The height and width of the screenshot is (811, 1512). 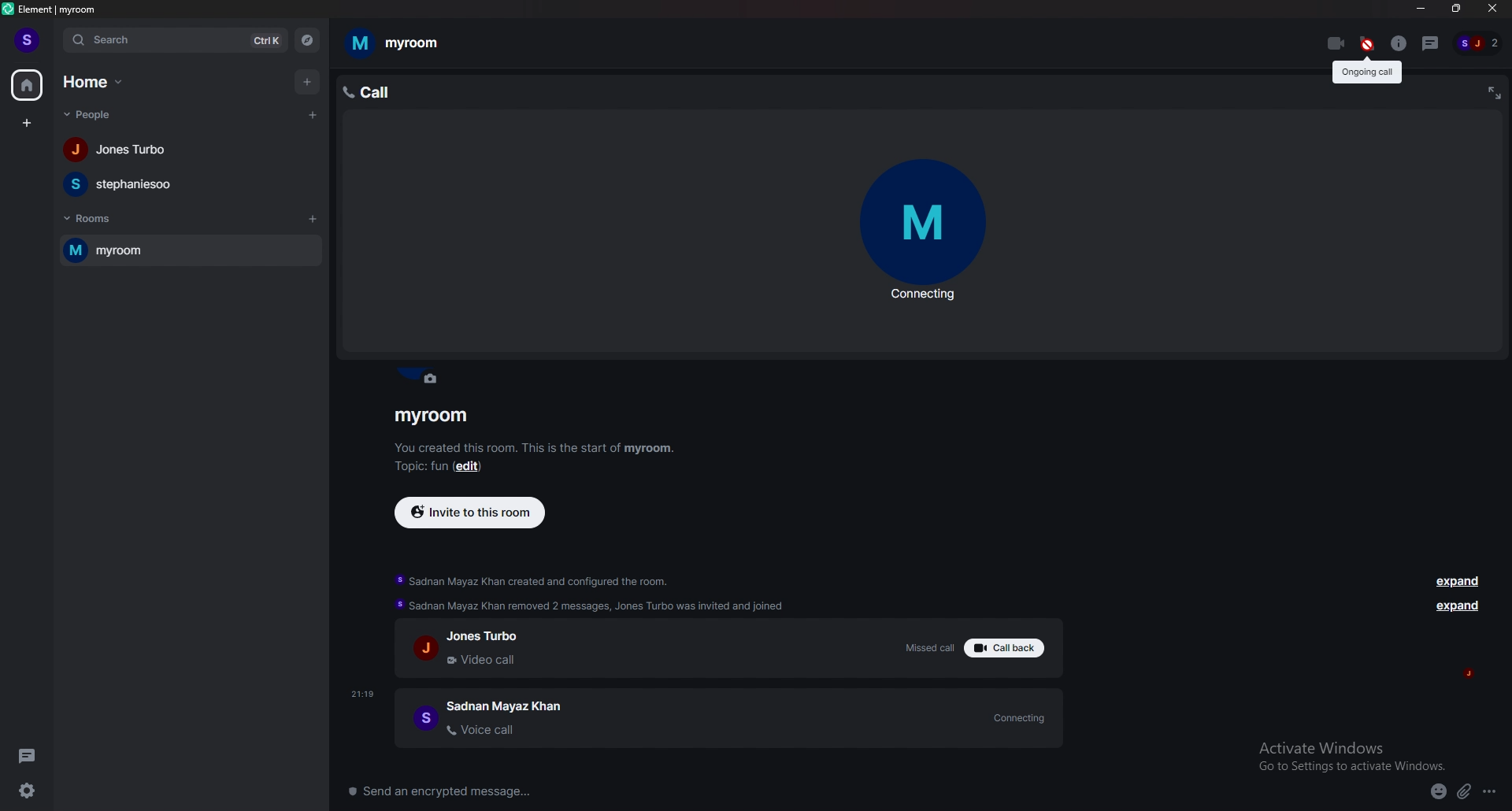 I want to click on myroom, so click(x=428, y=418).